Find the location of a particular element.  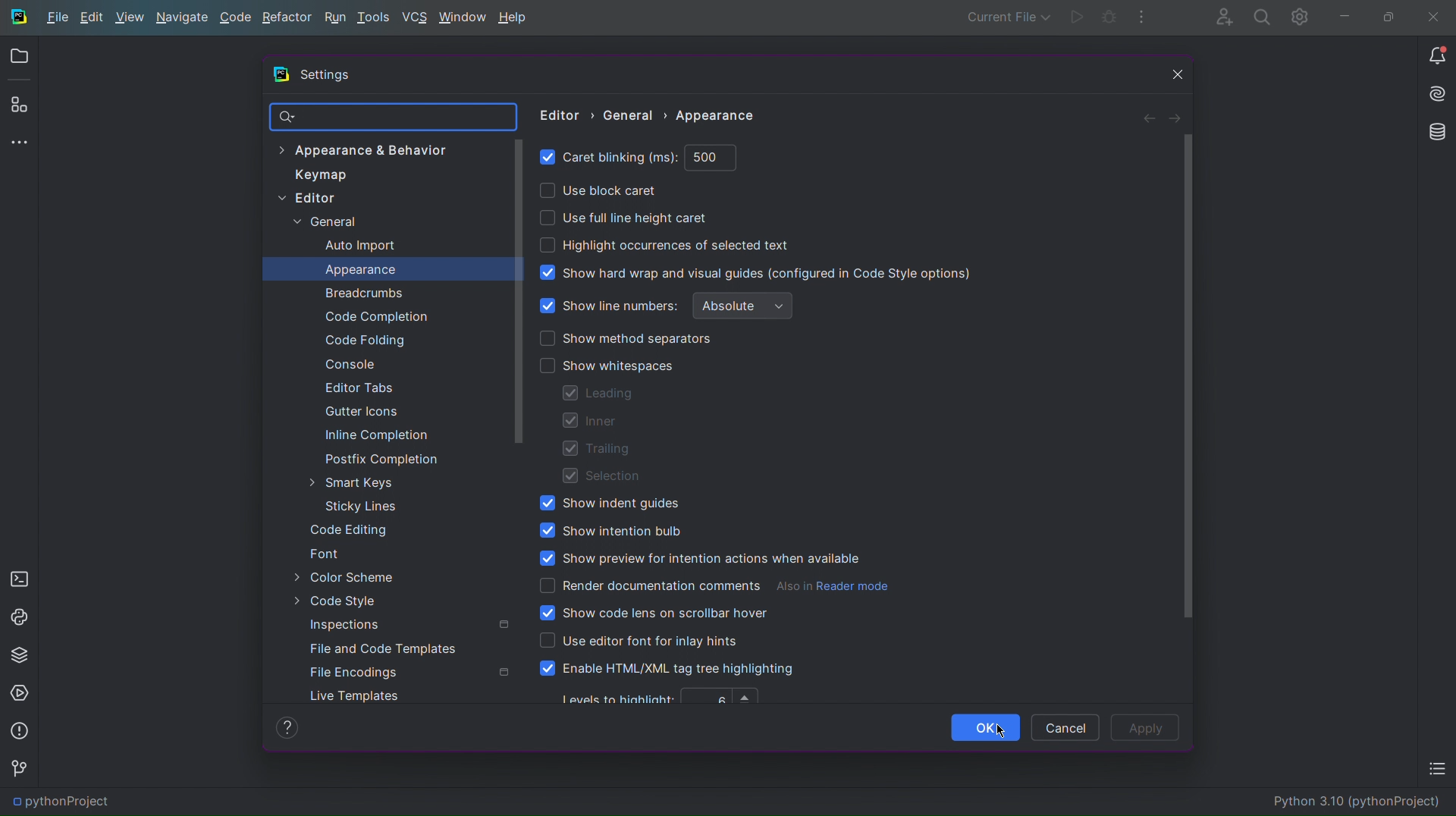

Help is located at coordinates (289, 727).